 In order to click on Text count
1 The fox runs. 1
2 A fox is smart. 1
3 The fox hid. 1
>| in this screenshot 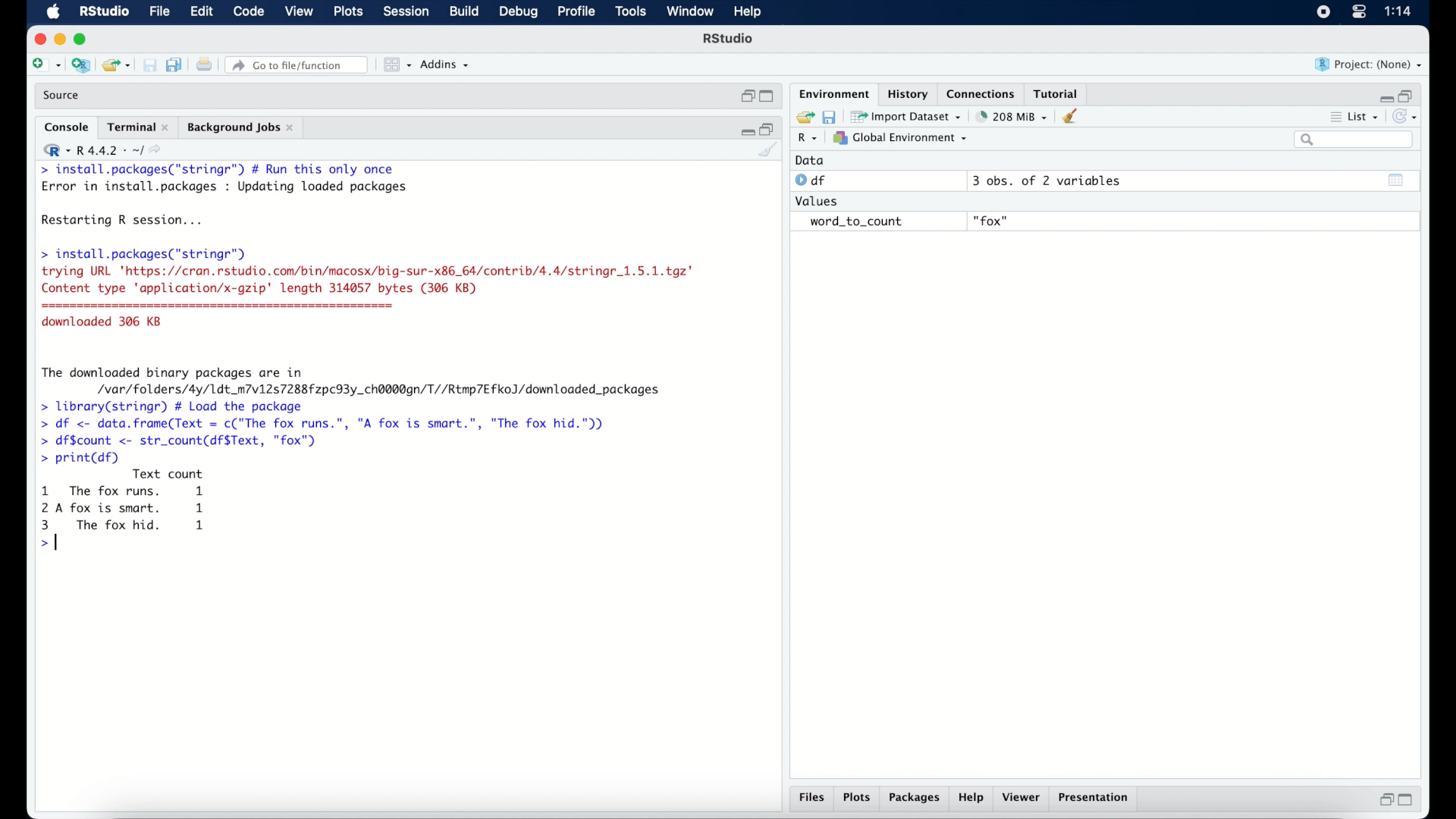, I will do `click(126, 513)`.